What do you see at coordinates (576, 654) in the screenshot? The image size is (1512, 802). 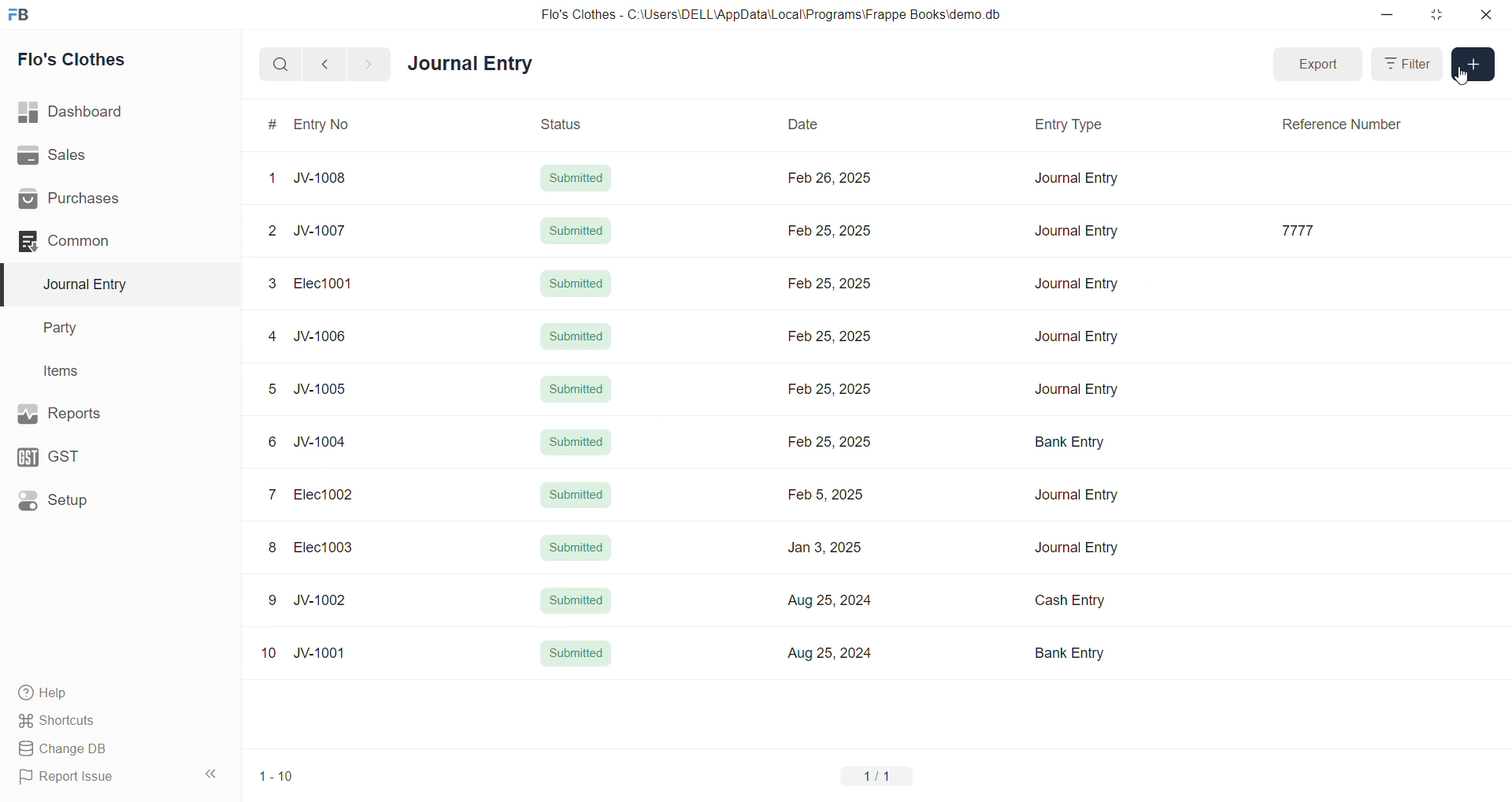 I see `Submitted` at bounding box center [576, 654].